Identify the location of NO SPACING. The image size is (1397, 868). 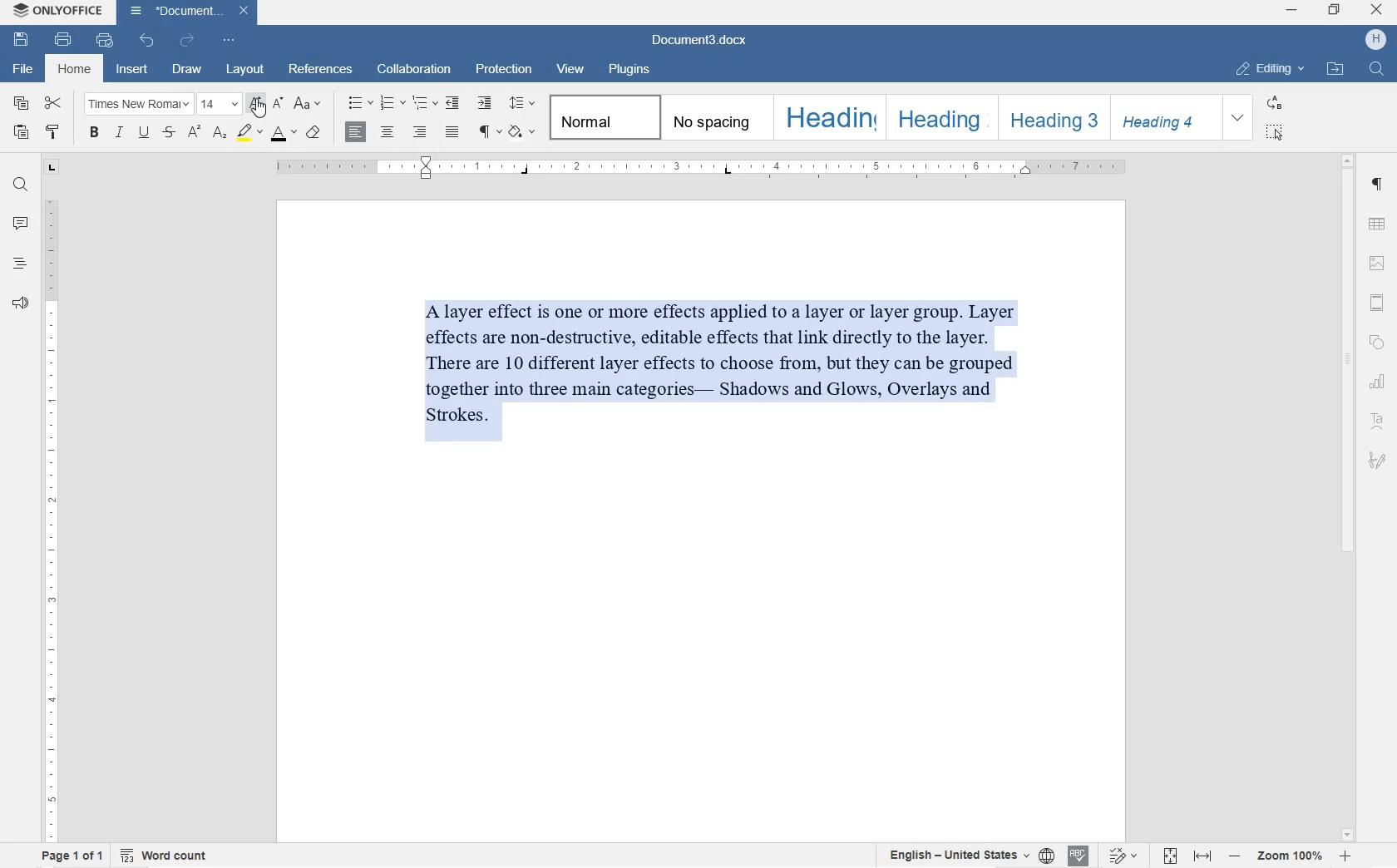
(713, 118).